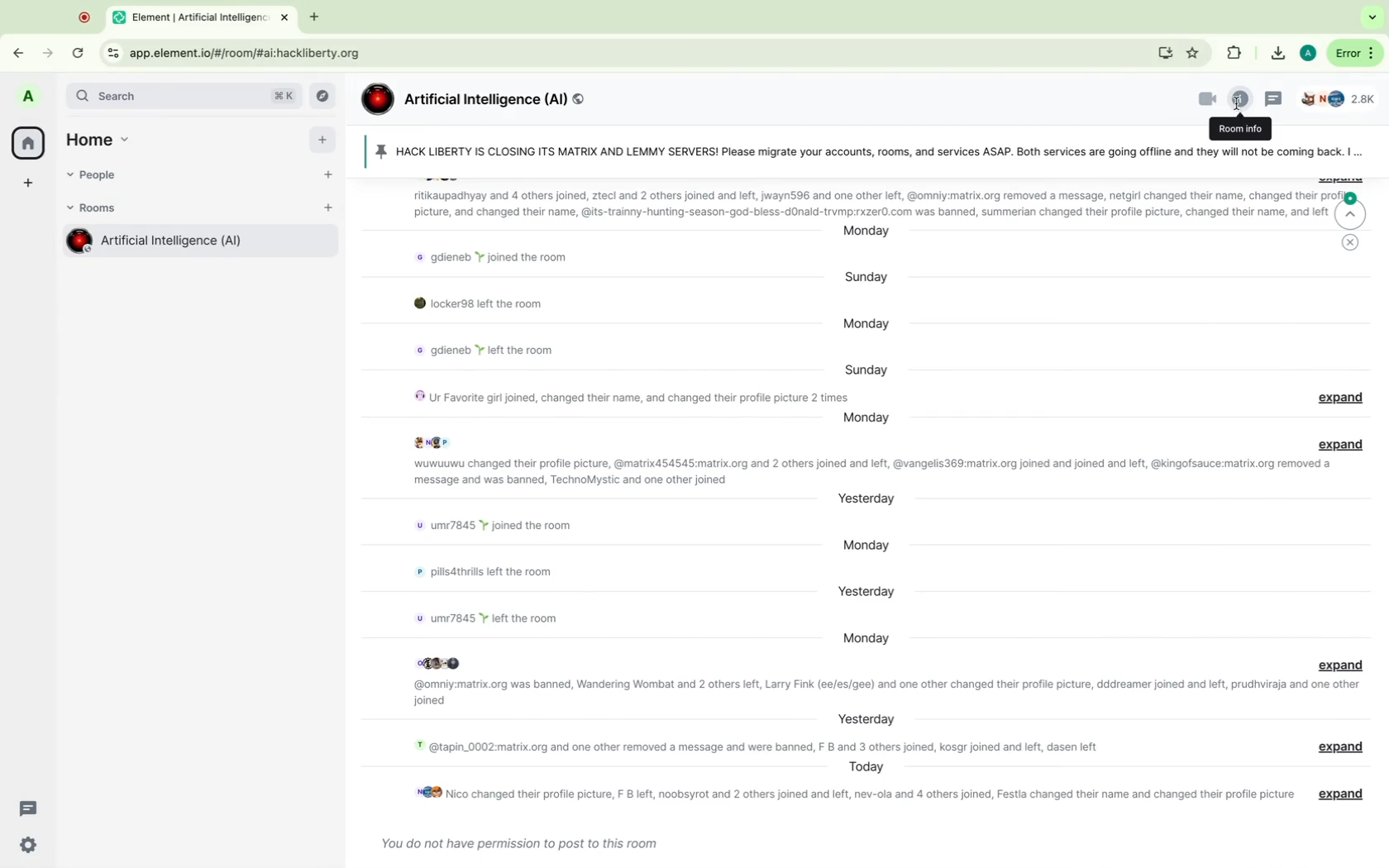 The height and width of the screenshot is (868, 1389). What do you see at coordinates (475, 100) in the screenshot?
I see `group name` at bounding box center [475, 100].